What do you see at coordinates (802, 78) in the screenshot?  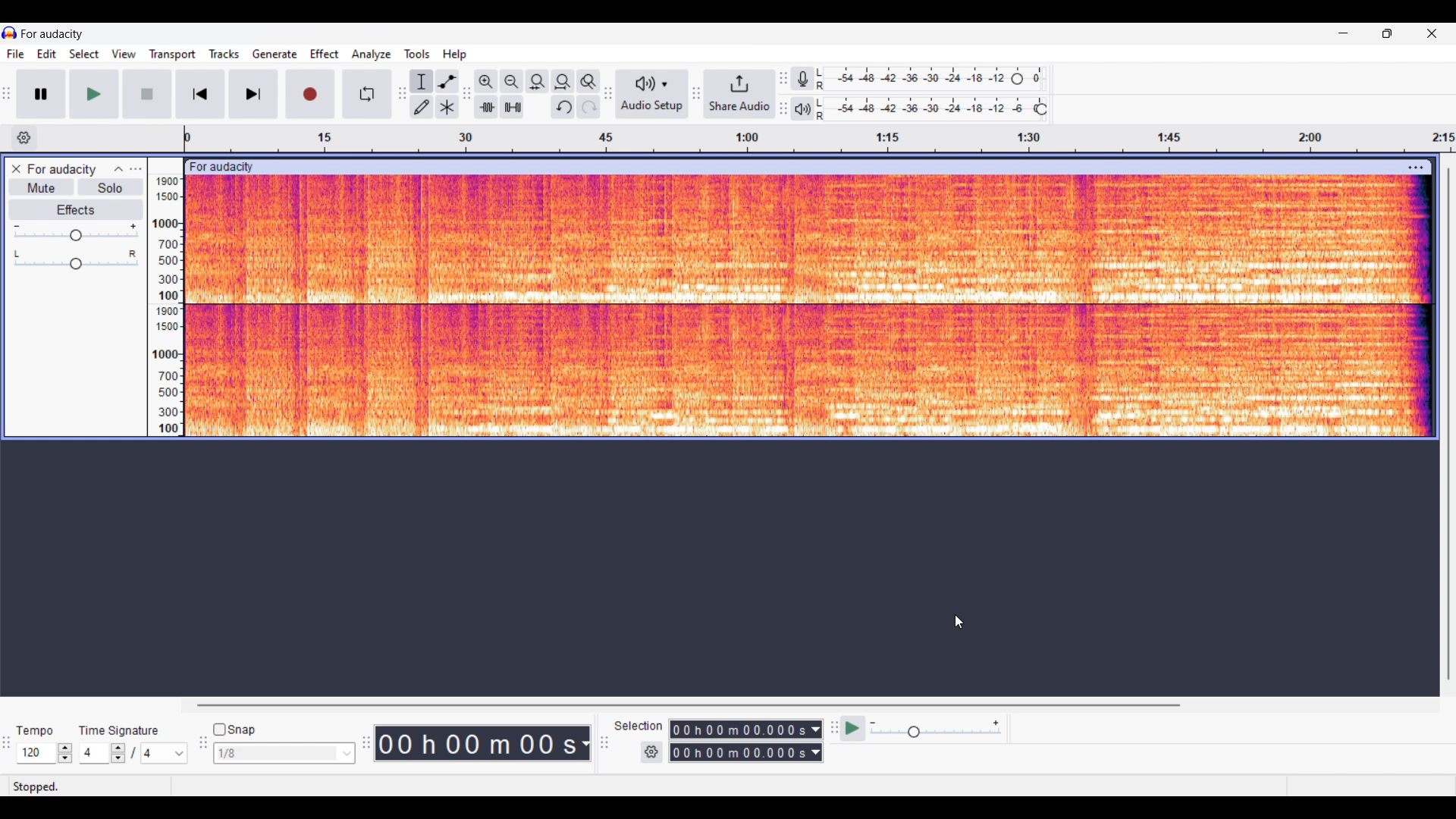 I see `Recording meter` at bounding box center [802, 78].